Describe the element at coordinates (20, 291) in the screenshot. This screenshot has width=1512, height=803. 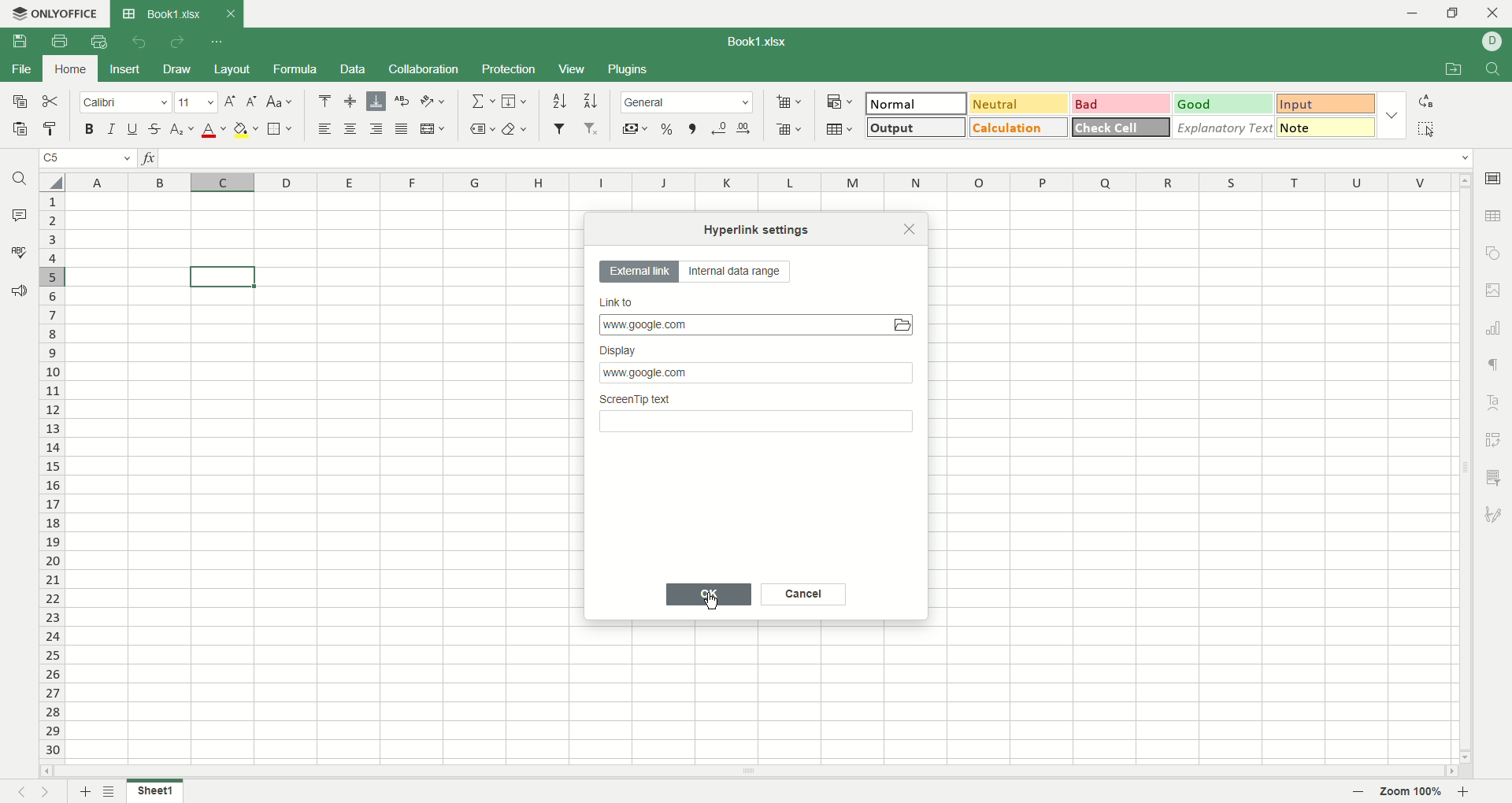
I see `feedback and support` at that location.